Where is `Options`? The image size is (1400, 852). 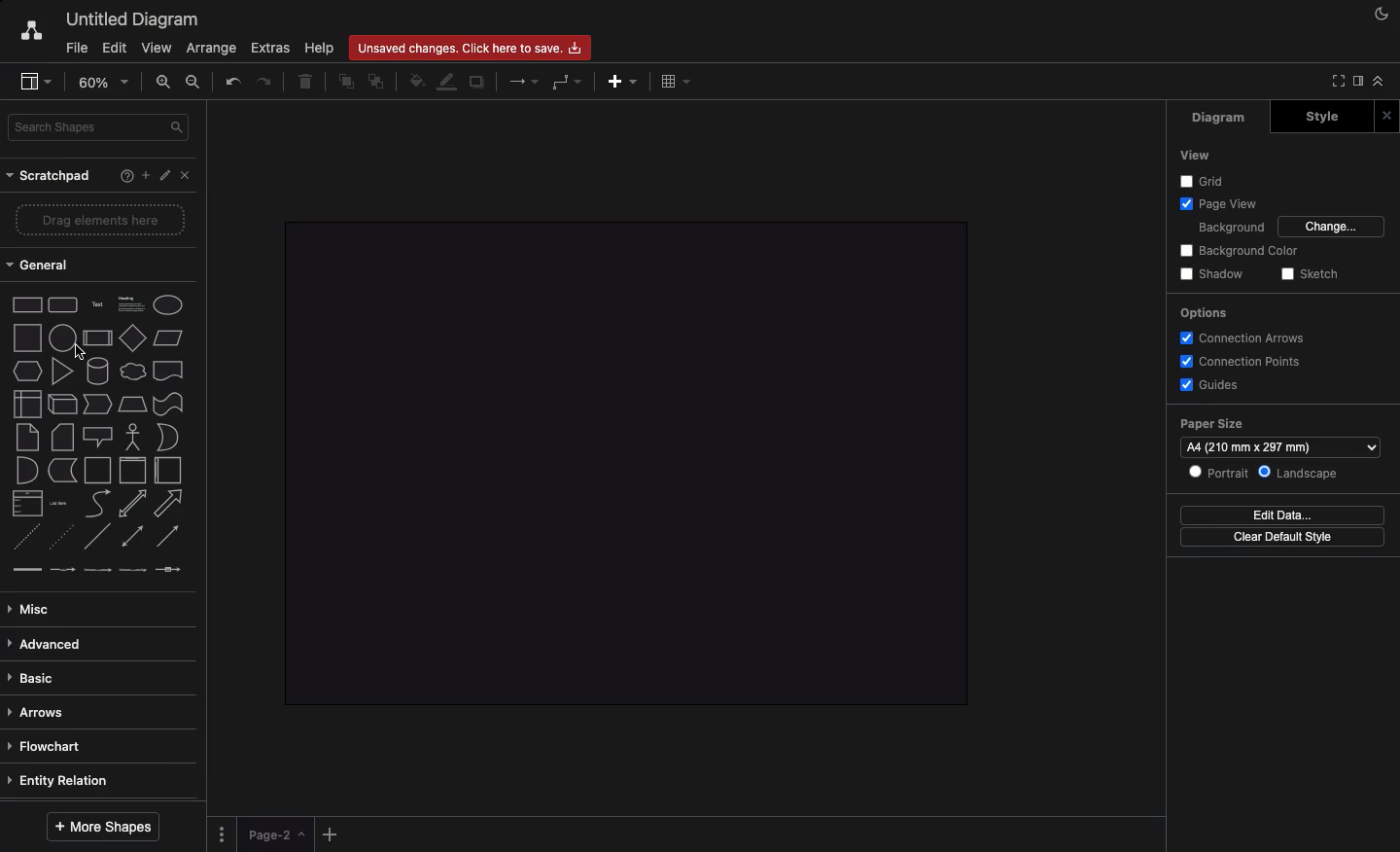
Options is located at coordinates (1206, 313).